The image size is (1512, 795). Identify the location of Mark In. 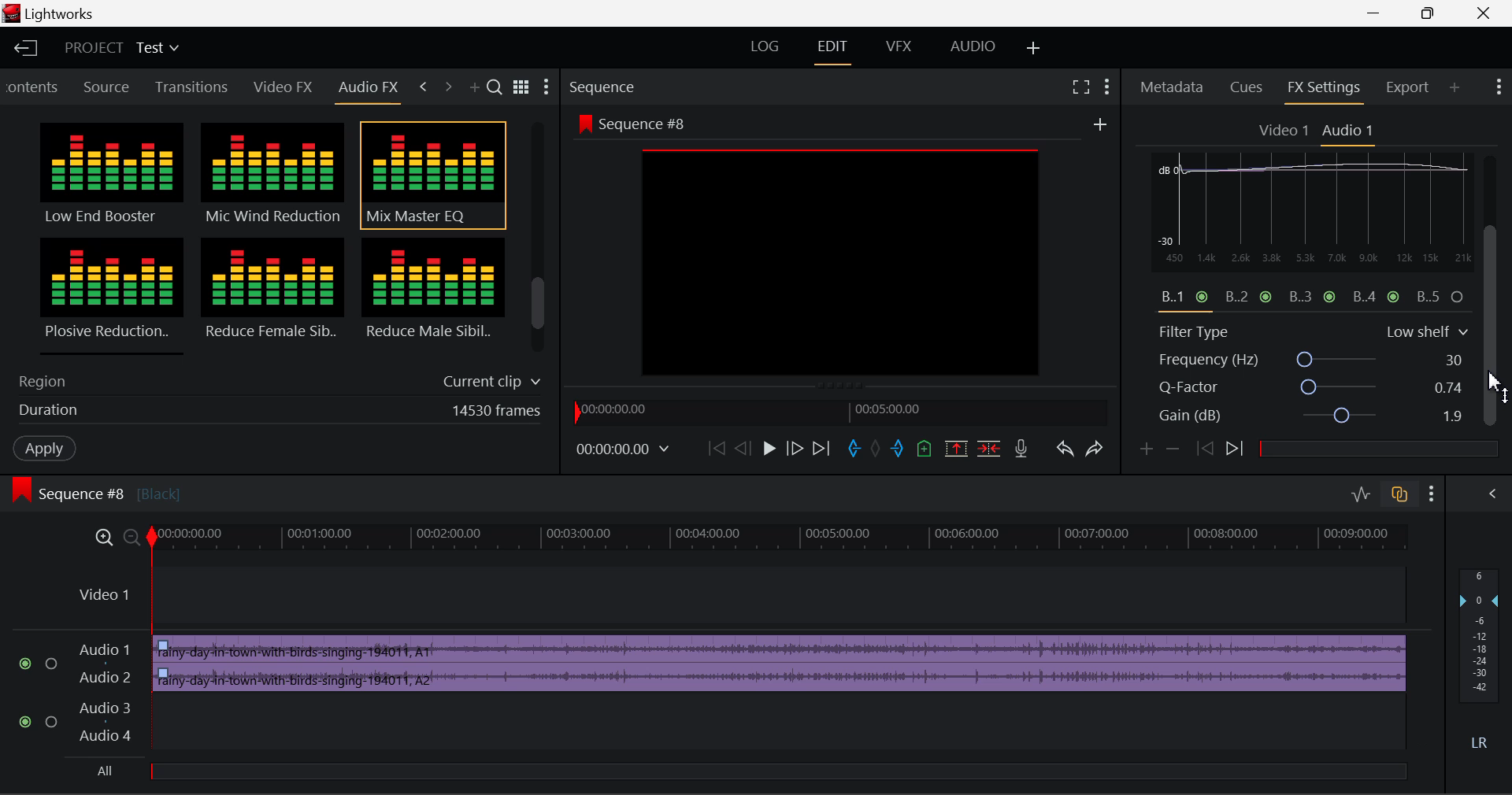
(857, 449).